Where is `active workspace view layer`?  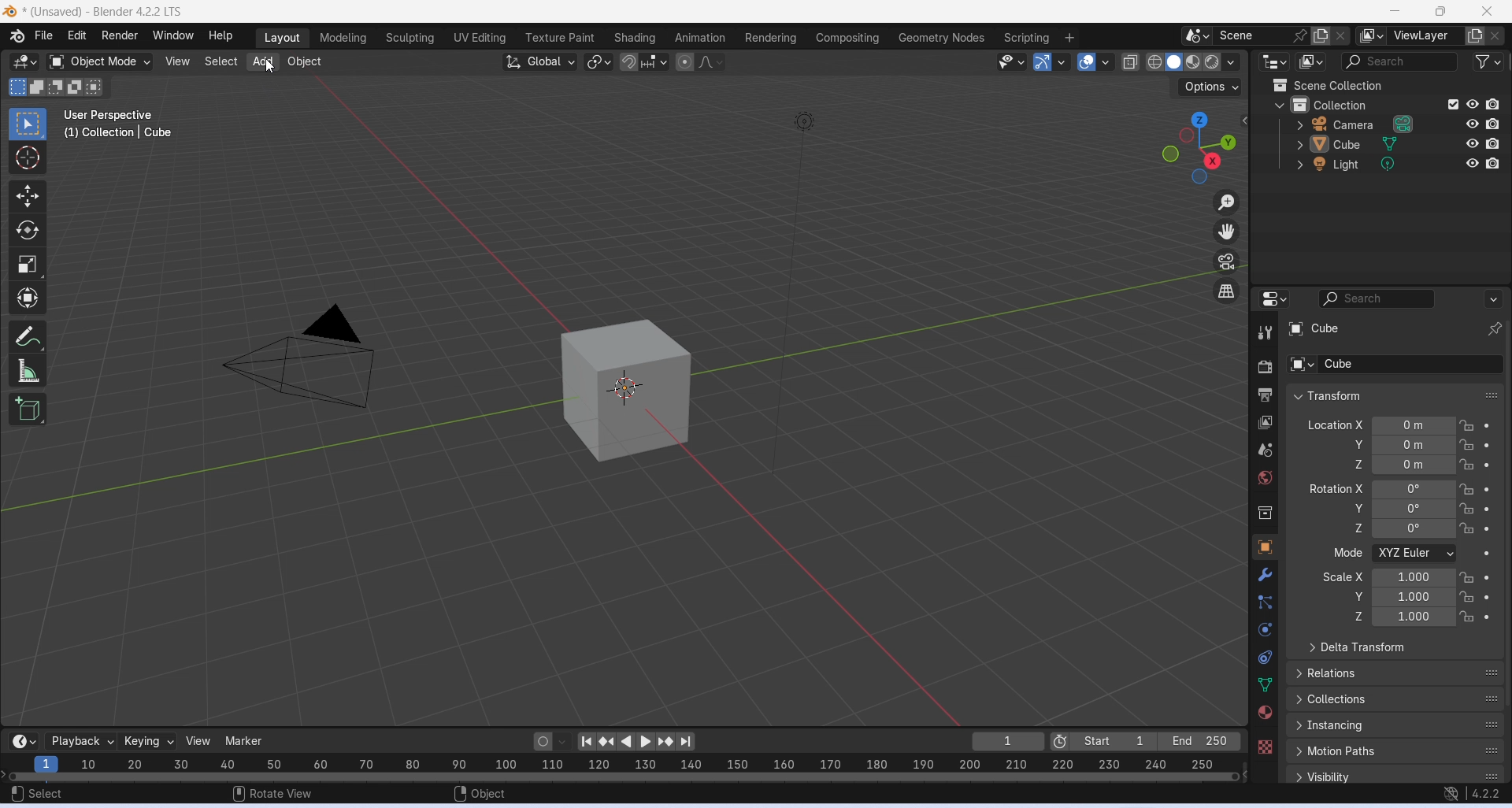 active workspace view layer is located at coordinates (1372, 35).